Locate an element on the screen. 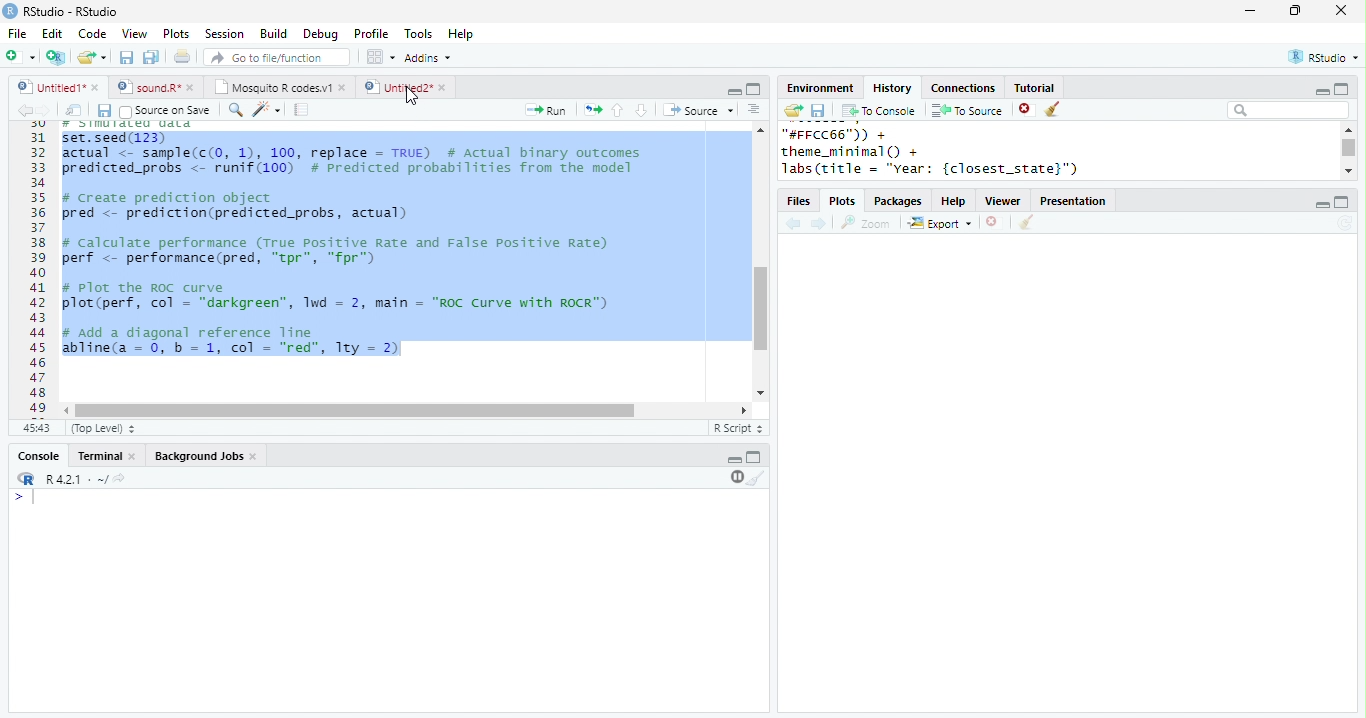 The width and height of the screenshot is (1366, 718). minimize is located at coordinates (1321, 205).